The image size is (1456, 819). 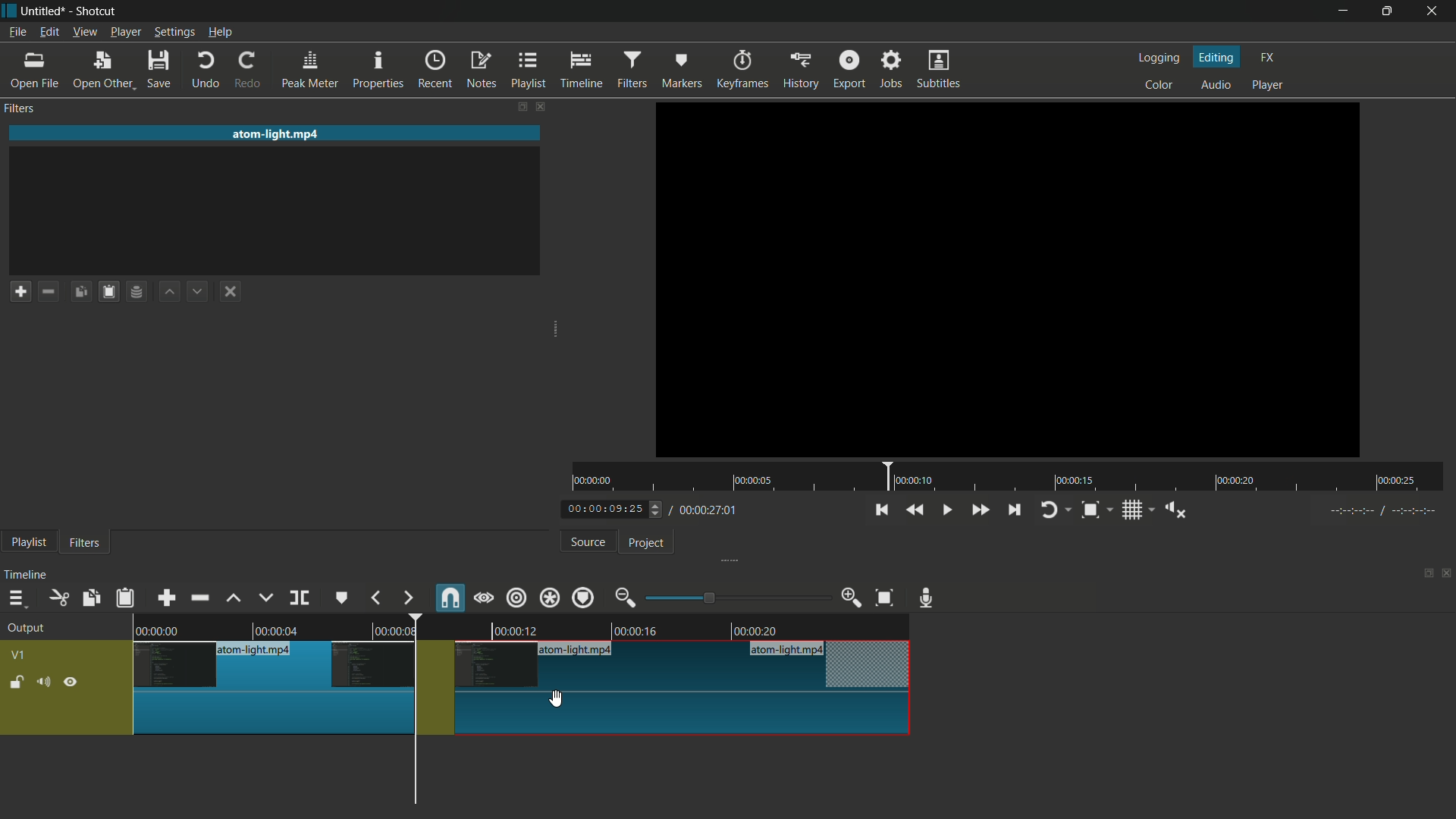 What do you see at coordinates (438, 70) in the screenshot?
I see `recent` at bounding box center [438, 70].